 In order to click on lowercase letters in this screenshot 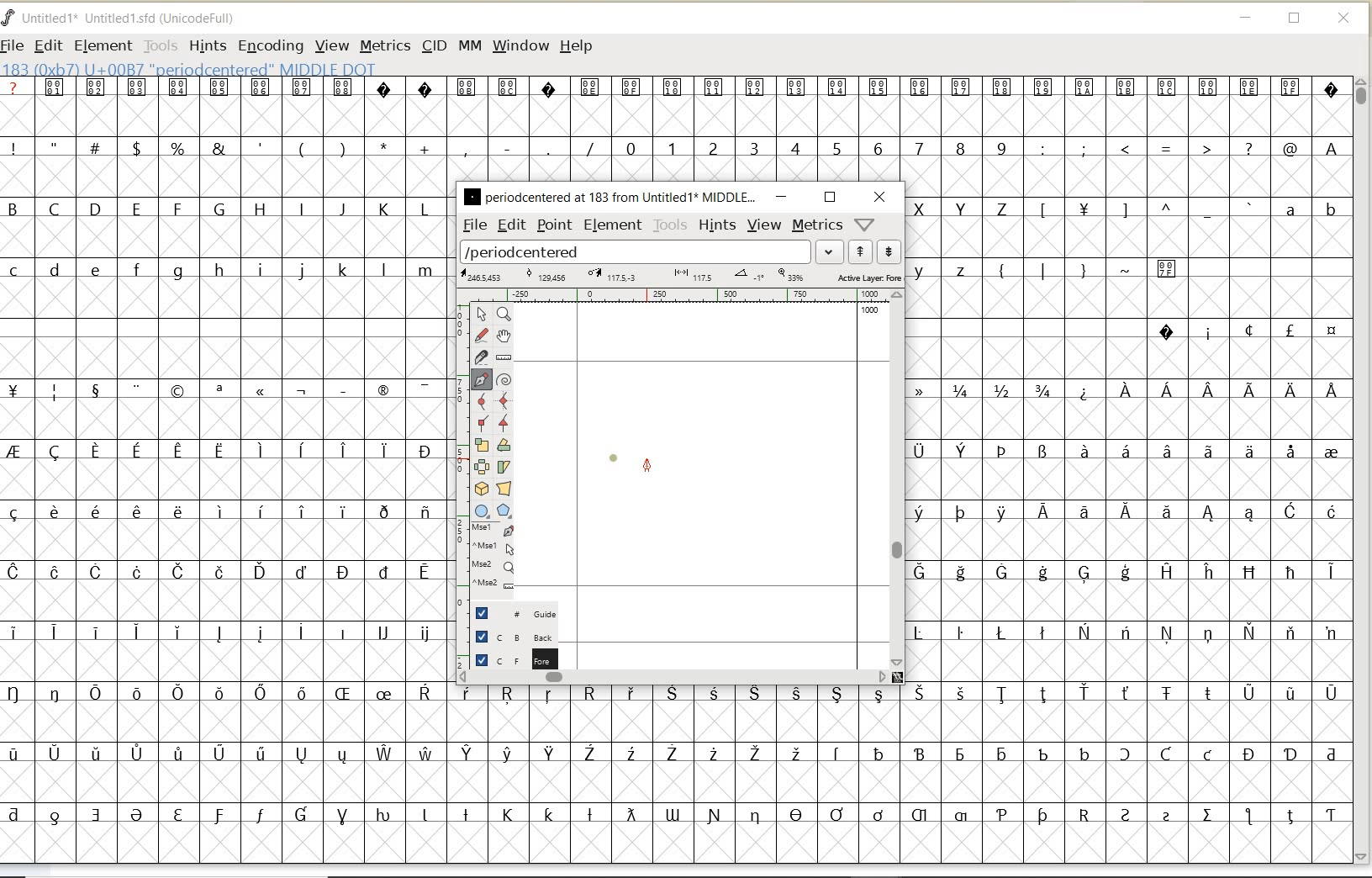, I will do `click(950, 269)`.